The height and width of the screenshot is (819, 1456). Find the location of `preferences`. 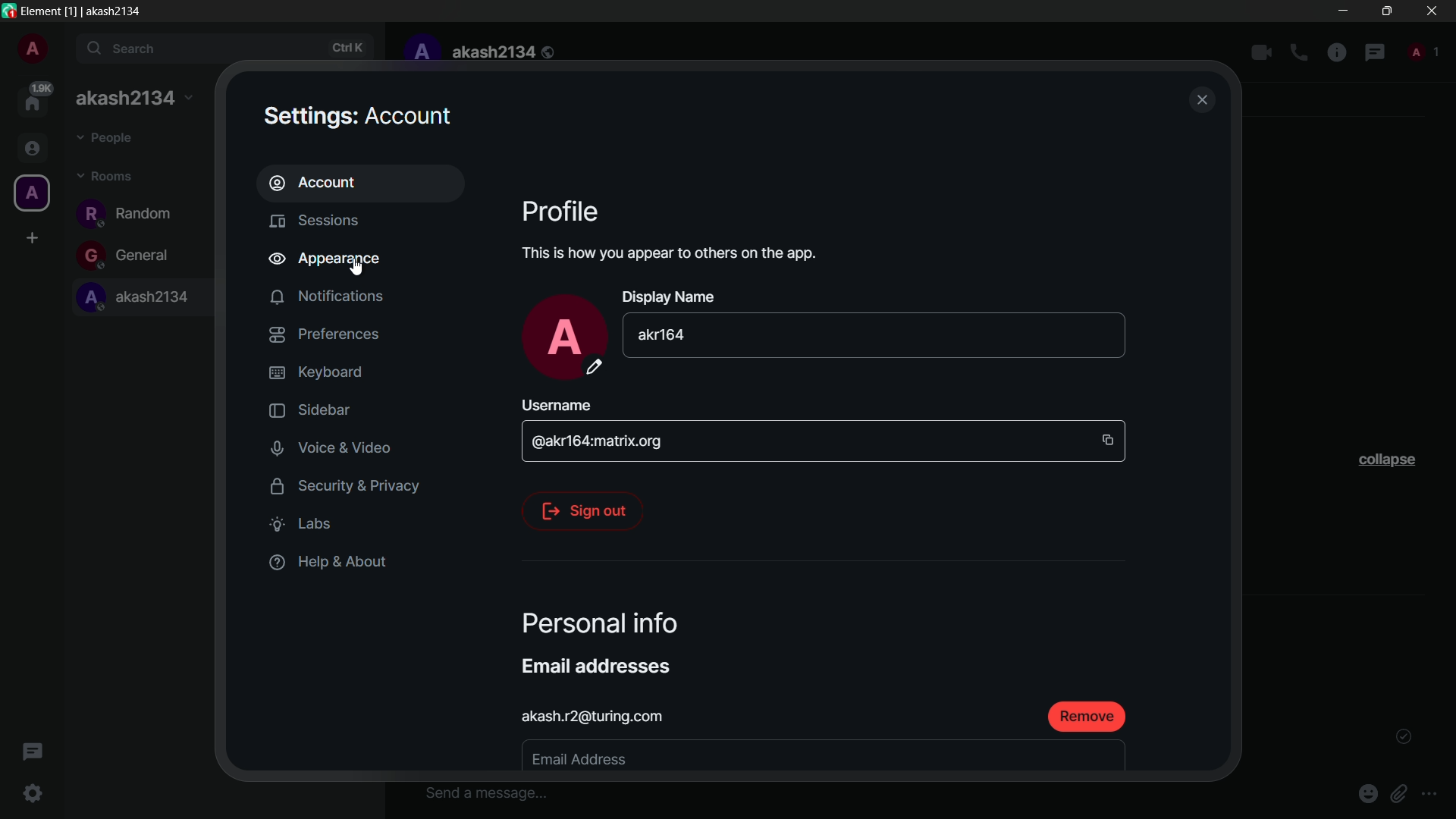

preferences is located at coordinates (325, 334).